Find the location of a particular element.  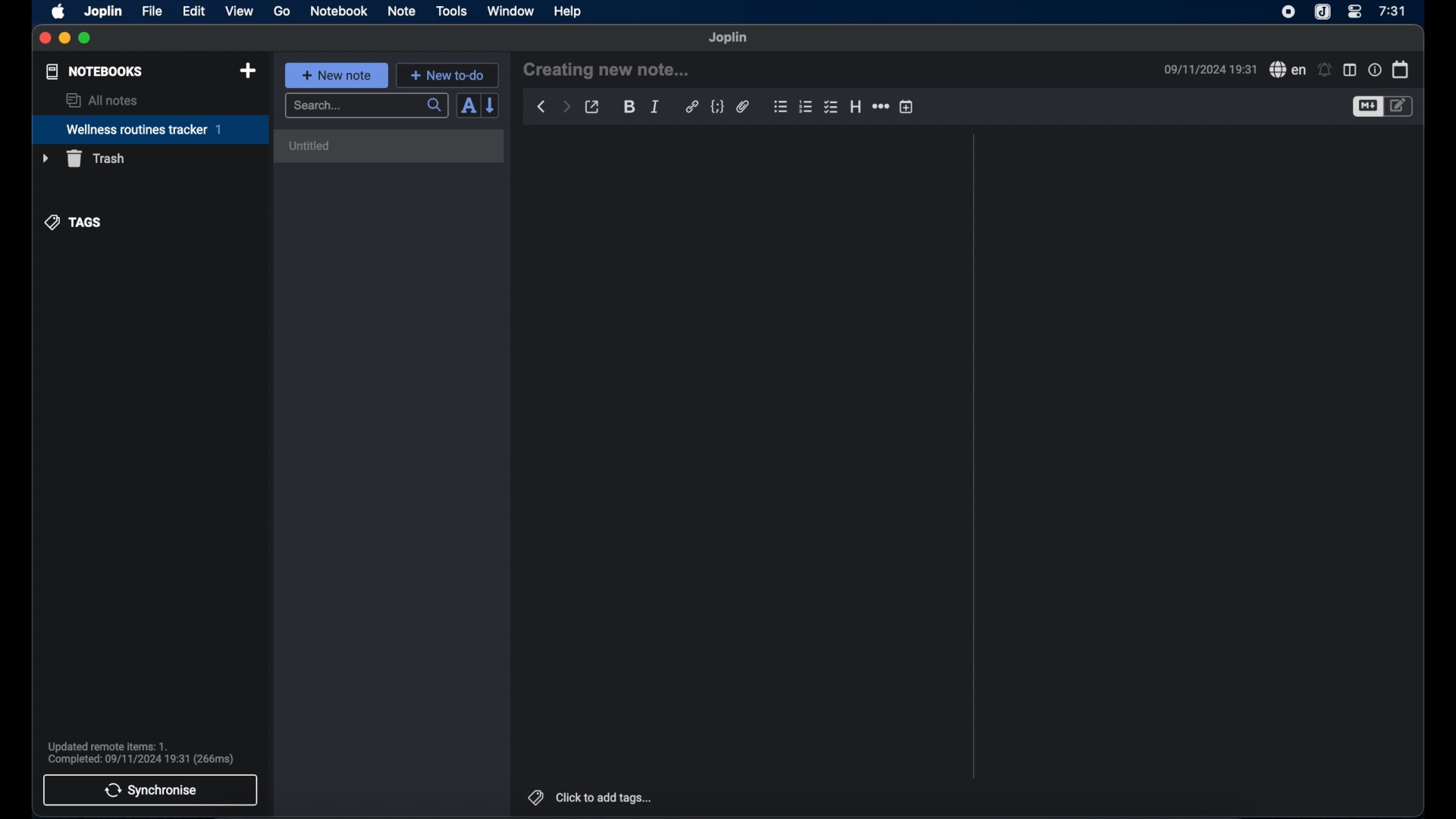

heading is located at coordinates (855, 106).